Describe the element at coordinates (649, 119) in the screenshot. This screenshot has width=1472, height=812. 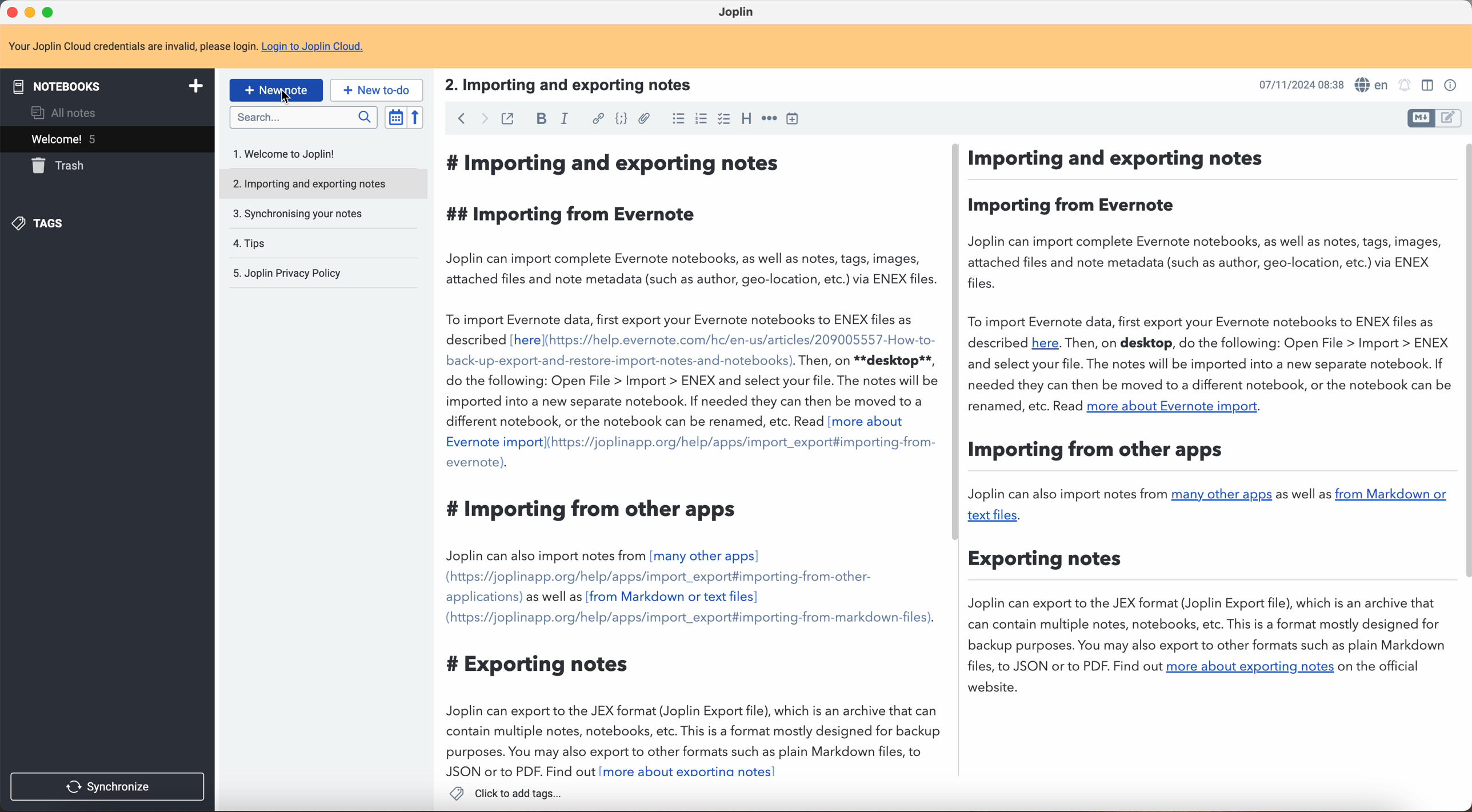
I see `attach file` at that location.